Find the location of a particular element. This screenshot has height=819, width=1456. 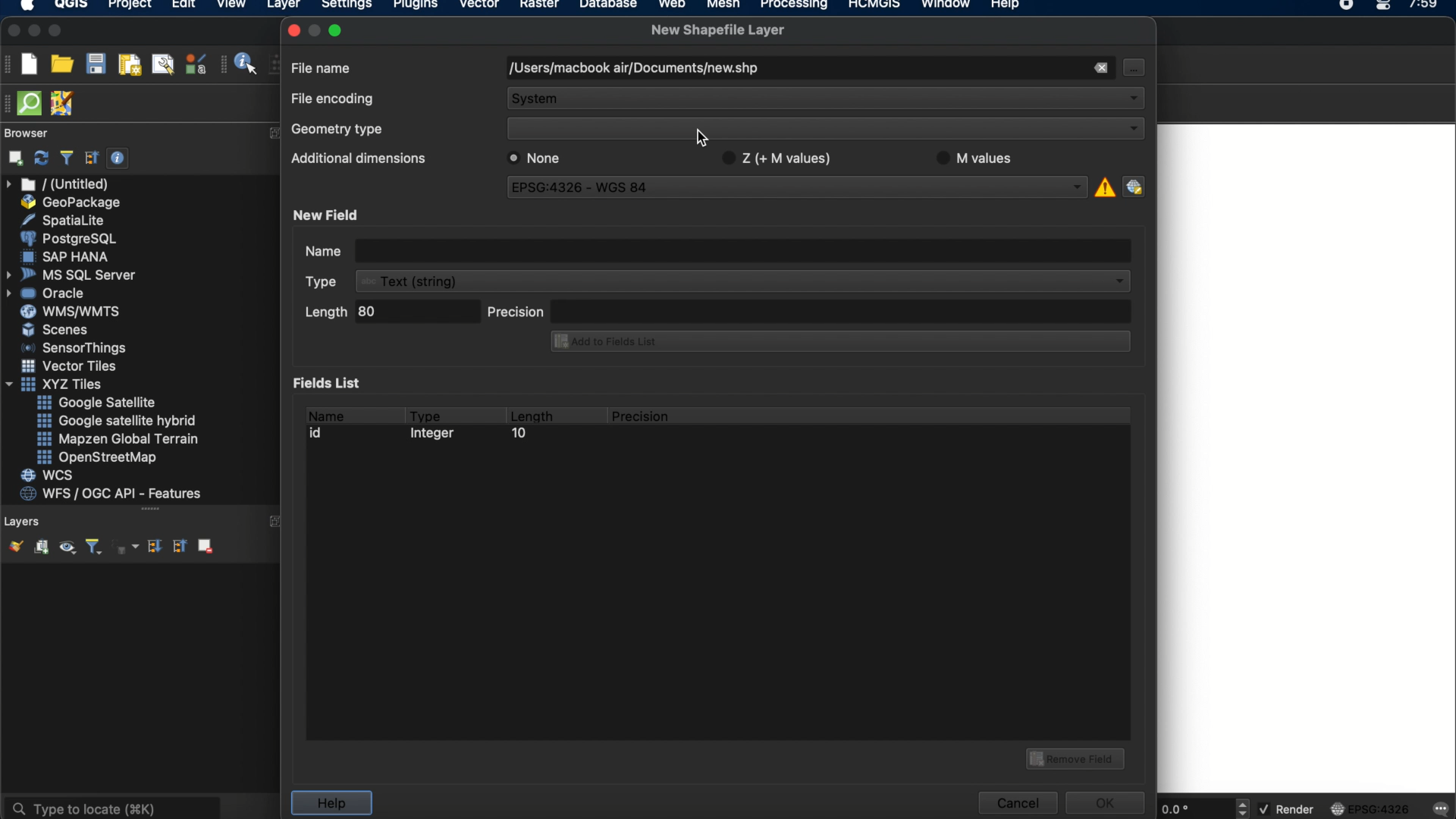

project is located at coordinates (127, 6).